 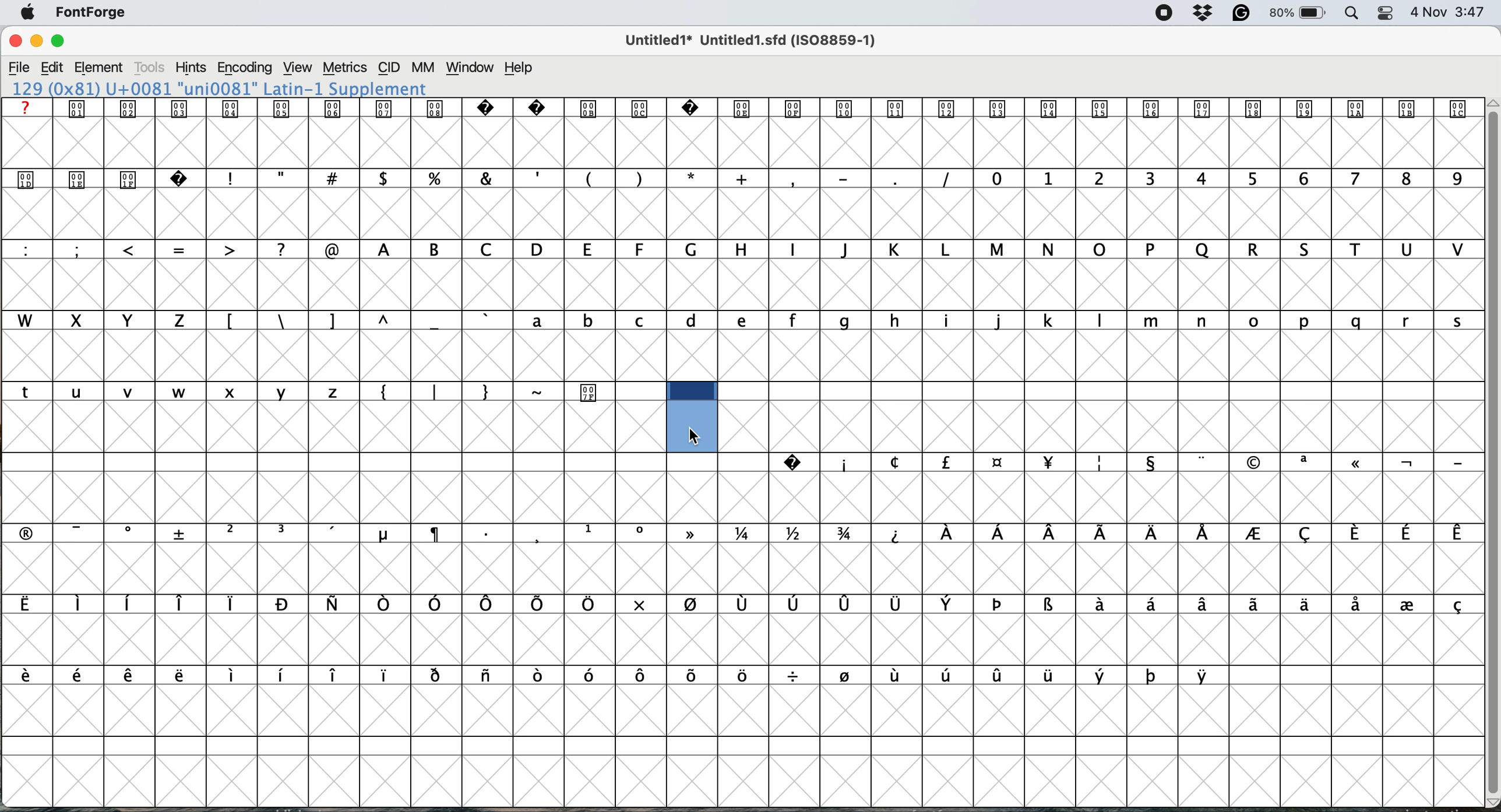 What do you see at coordinates (389, 69) in the screenshot?
I see `CID` at bounding box center [389, 69].